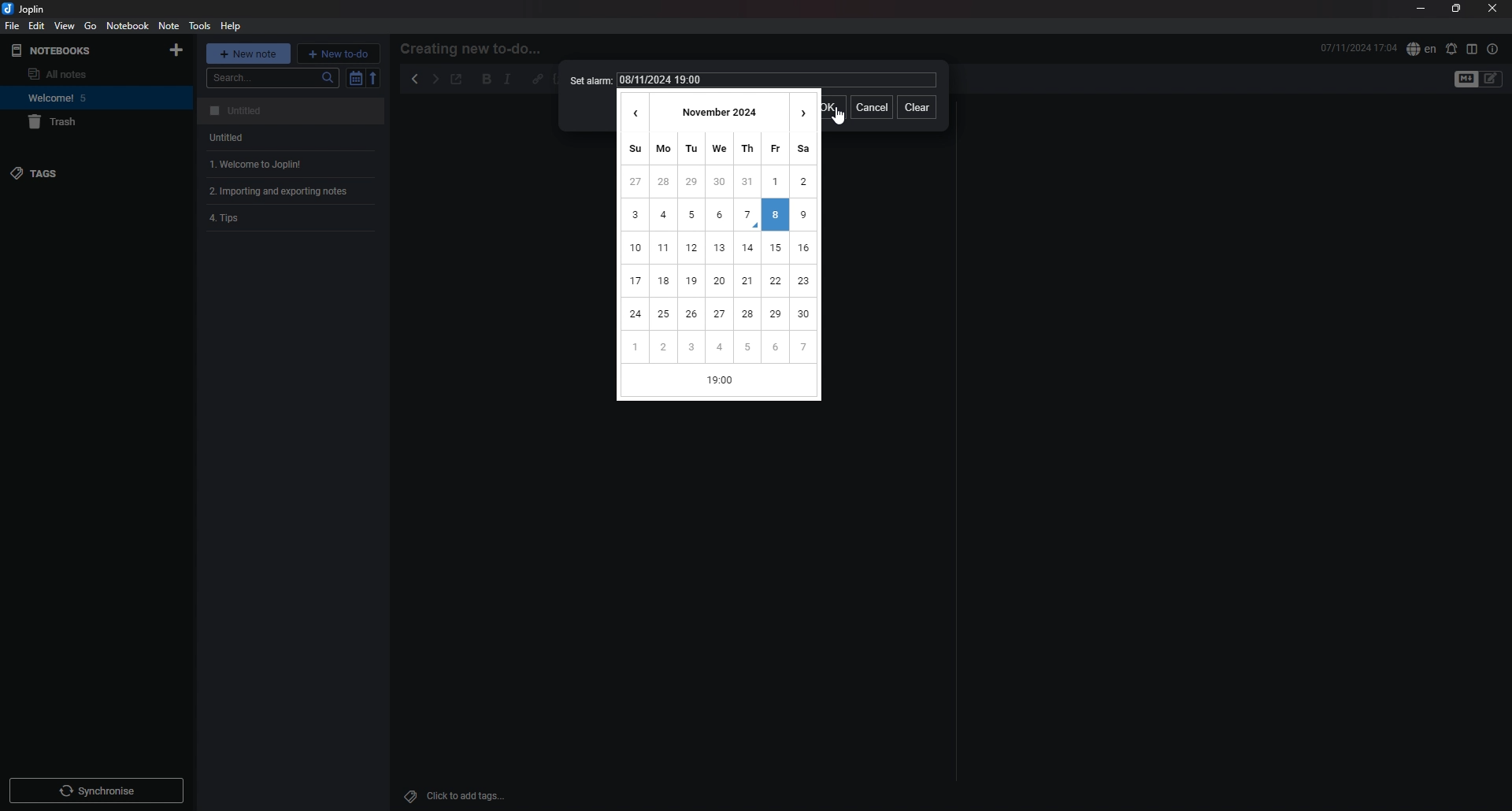 The image size is (1512, 811). I want to click on view, so click(65, 26).